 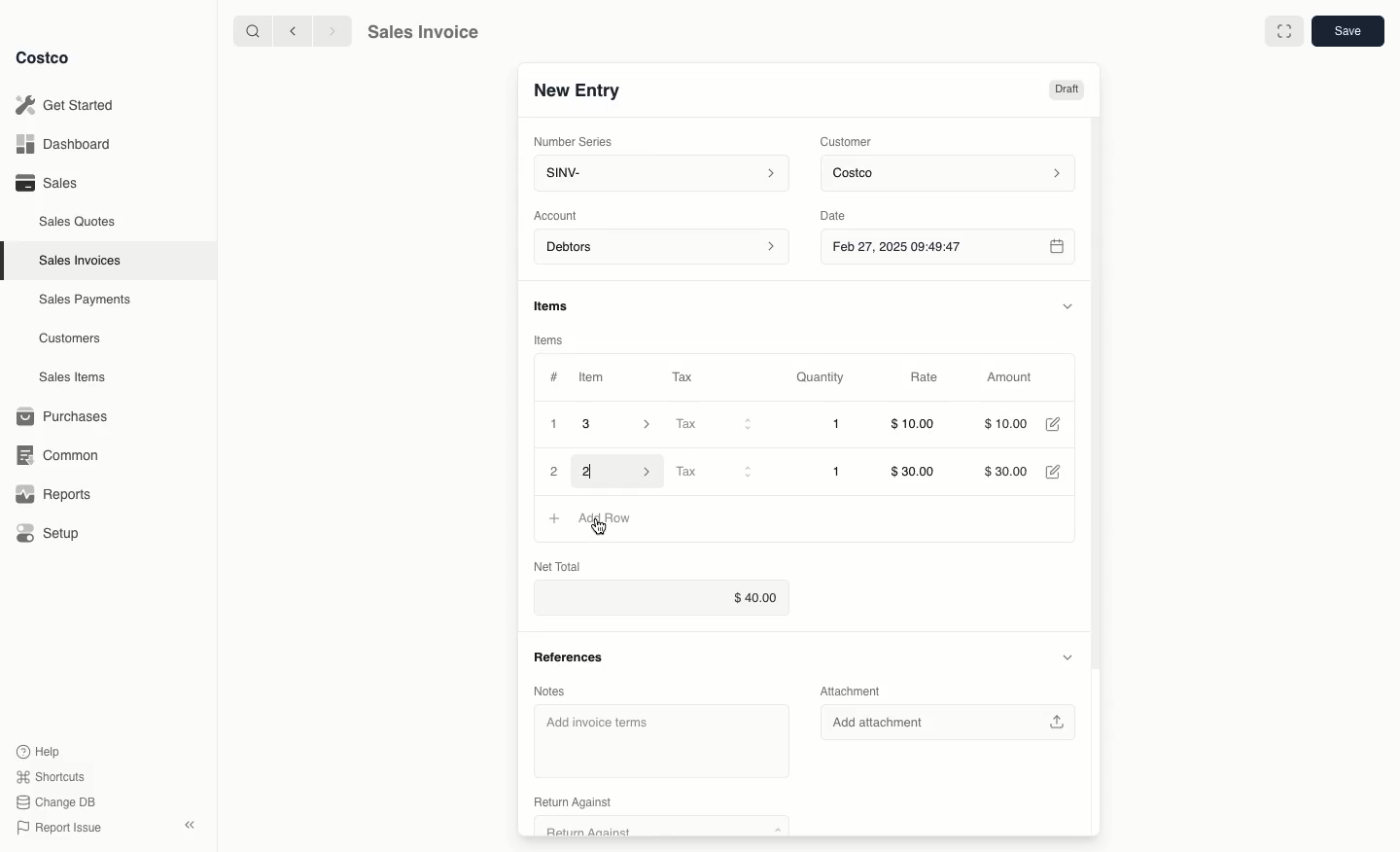 What do you see at coordinates (571, 801) in the screenshot?
I see `‘Return Against` at bounding box center [571, 801].